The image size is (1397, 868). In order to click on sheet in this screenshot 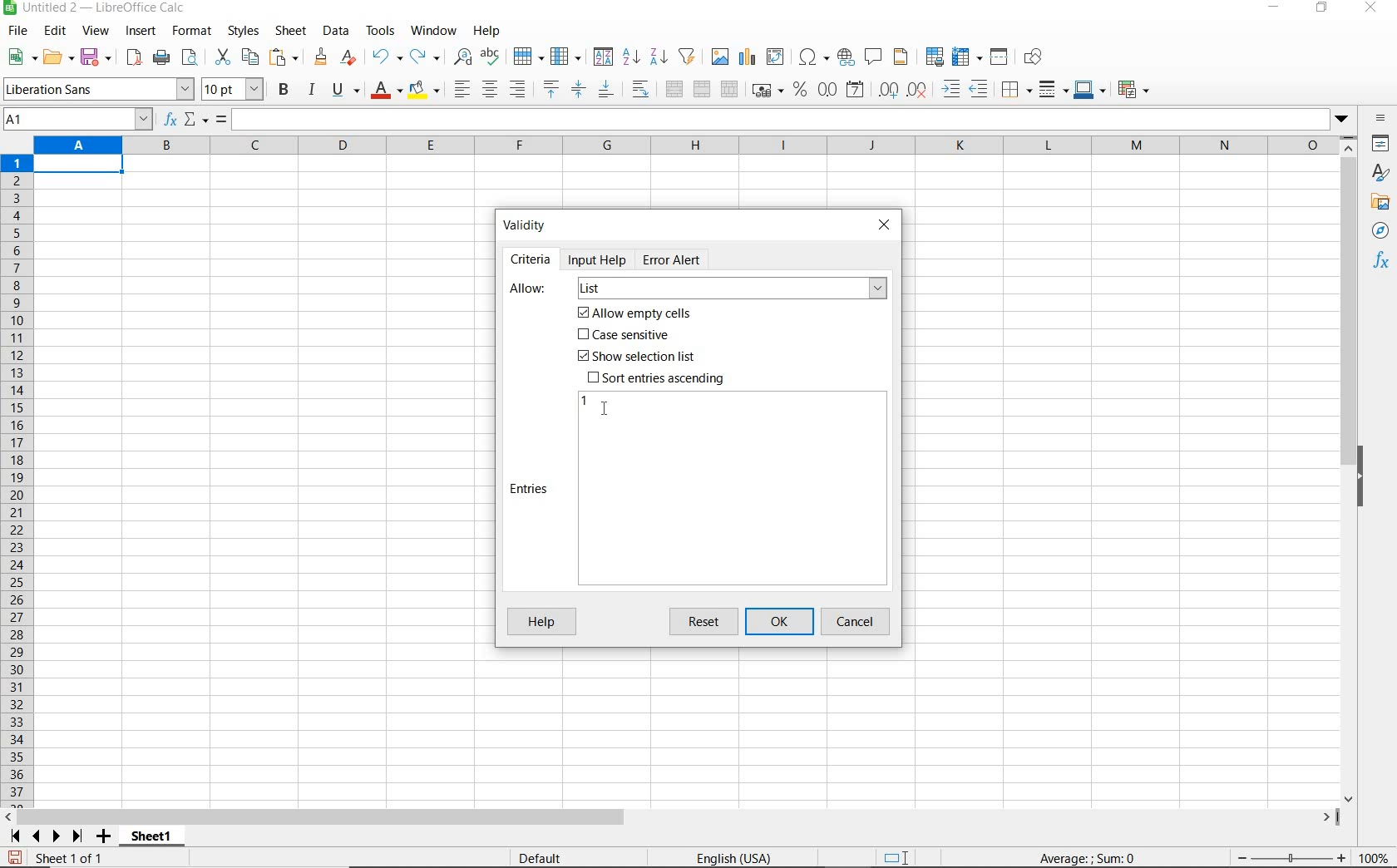, I will do `click(292, 32)`.